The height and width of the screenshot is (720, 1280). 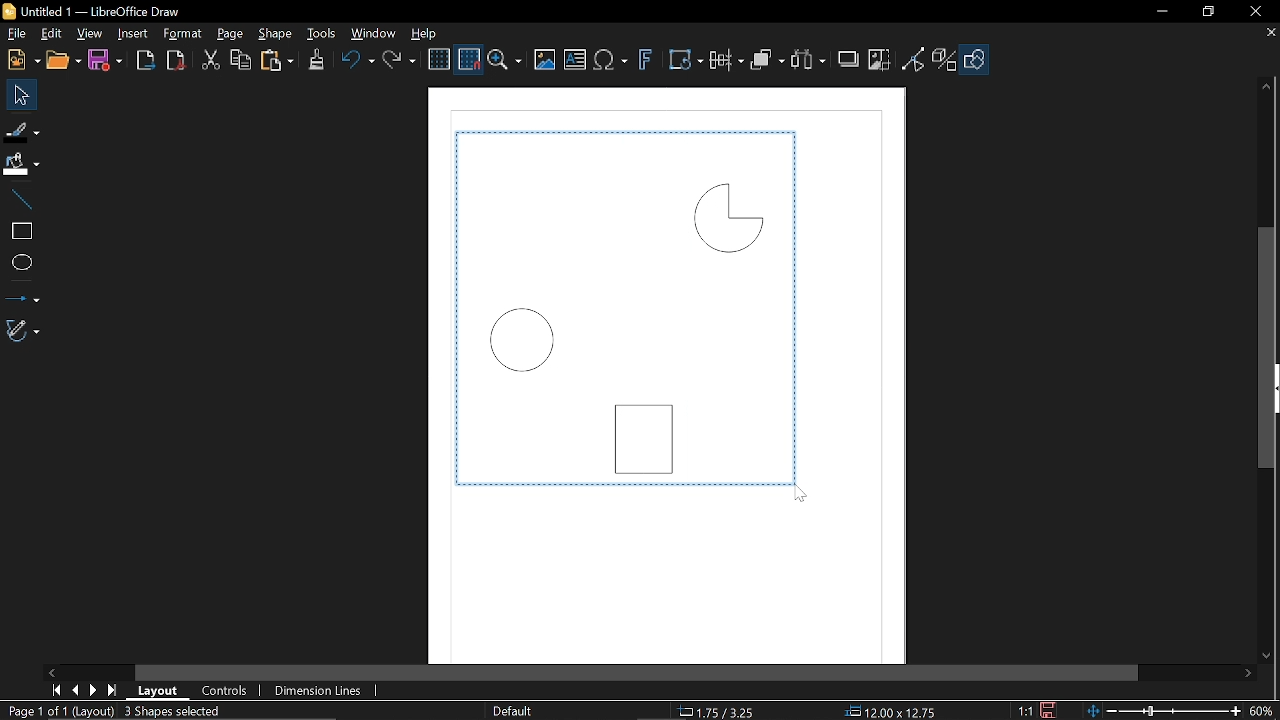 What do you see at coordinates (93, 690) in the screenshot?
I see `Next page` at bounding box center [93, 690].